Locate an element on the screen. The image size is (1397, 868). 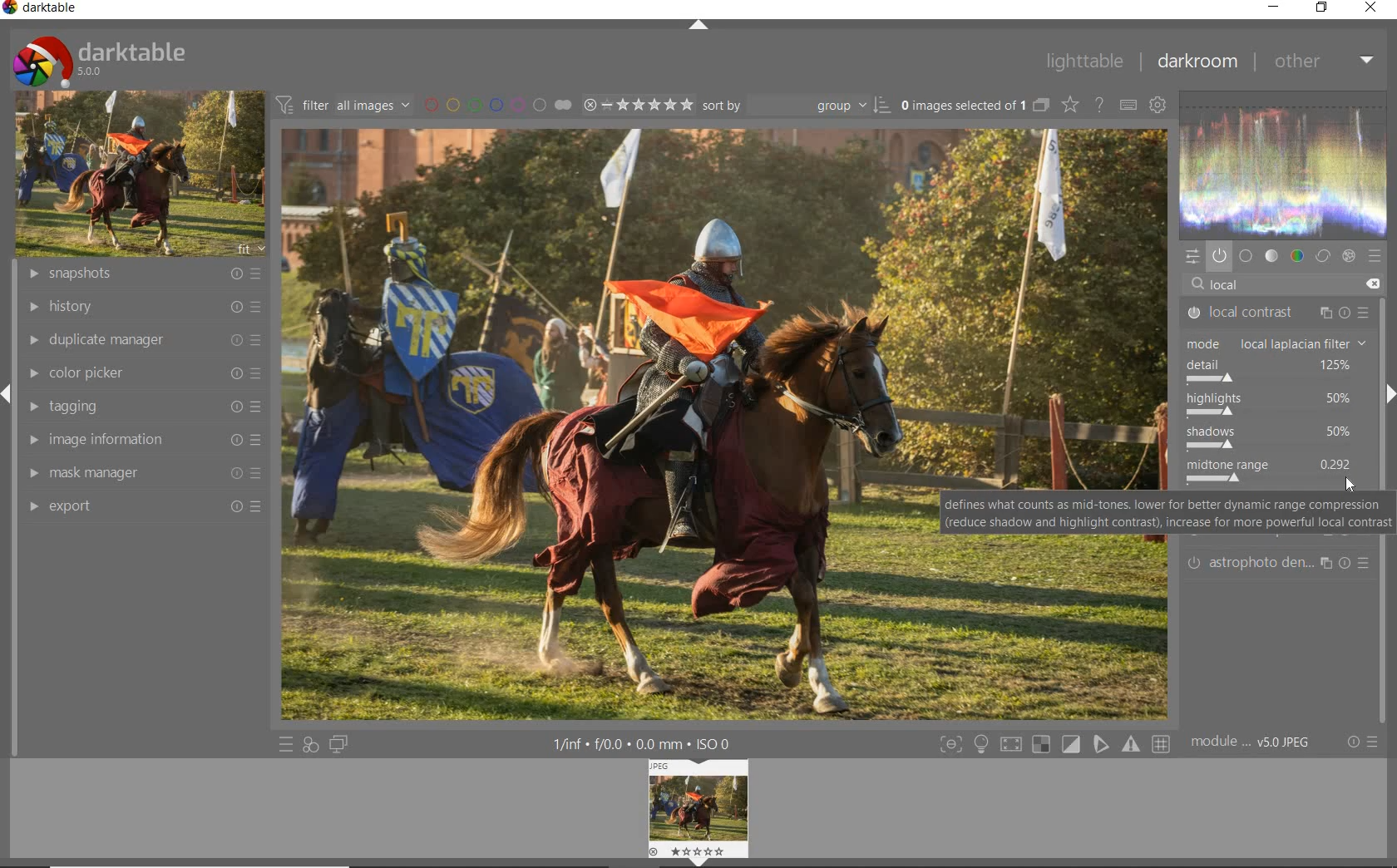
presets is located at coordinates (1375, 257).